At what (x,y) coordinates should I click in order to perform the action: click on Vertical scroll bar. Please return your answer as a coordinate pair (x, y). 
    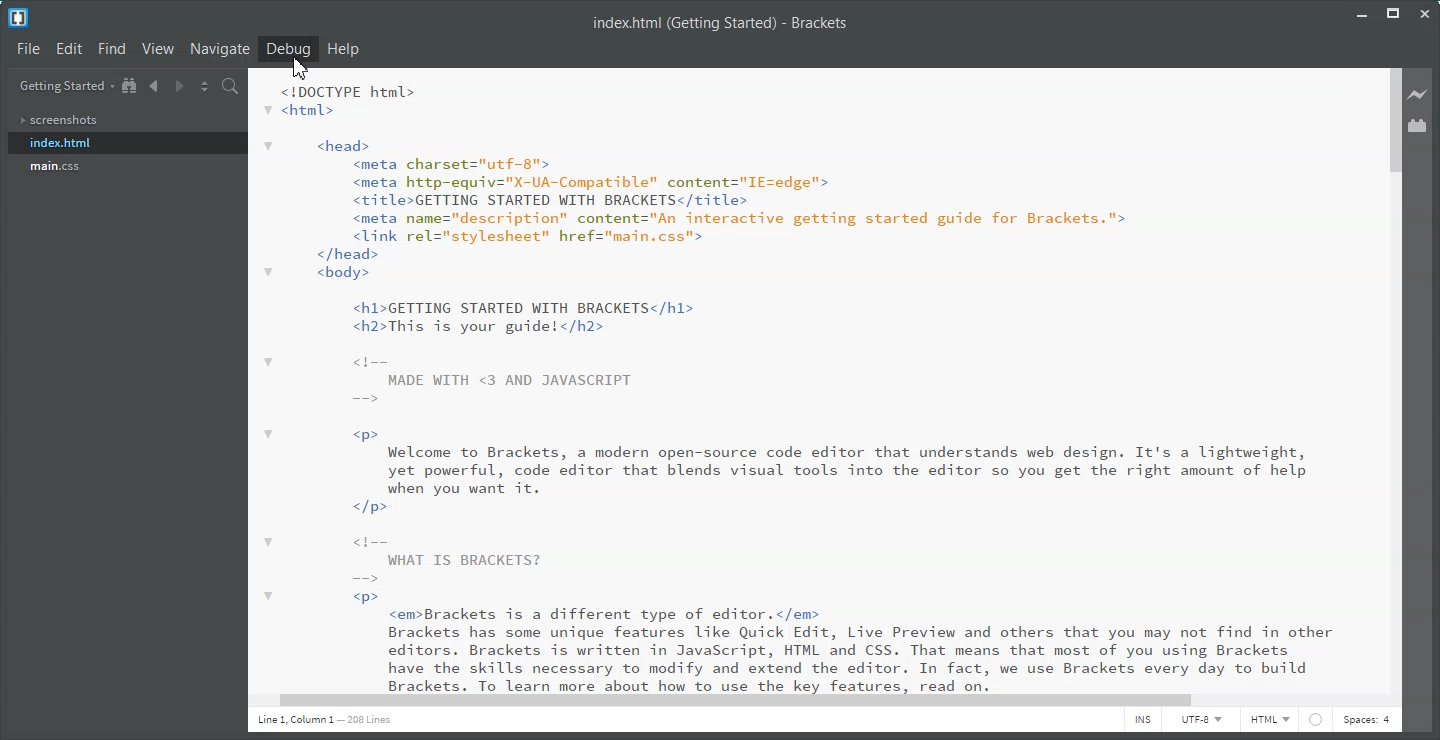
    Looking at the image, I should click on (1395, 378).